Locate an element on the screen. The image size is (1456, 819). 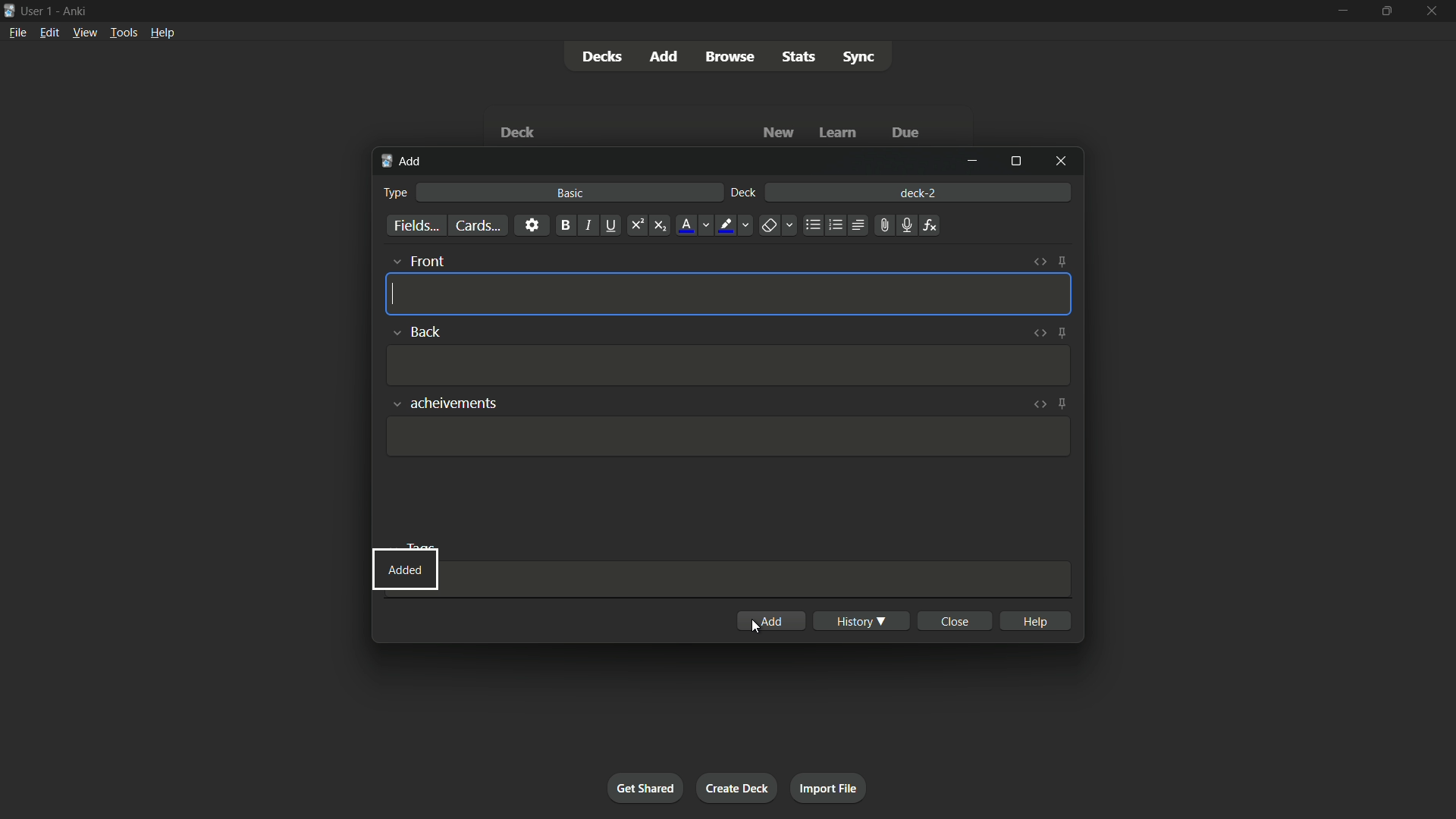
maximize is located at coordinates (1014, 162).